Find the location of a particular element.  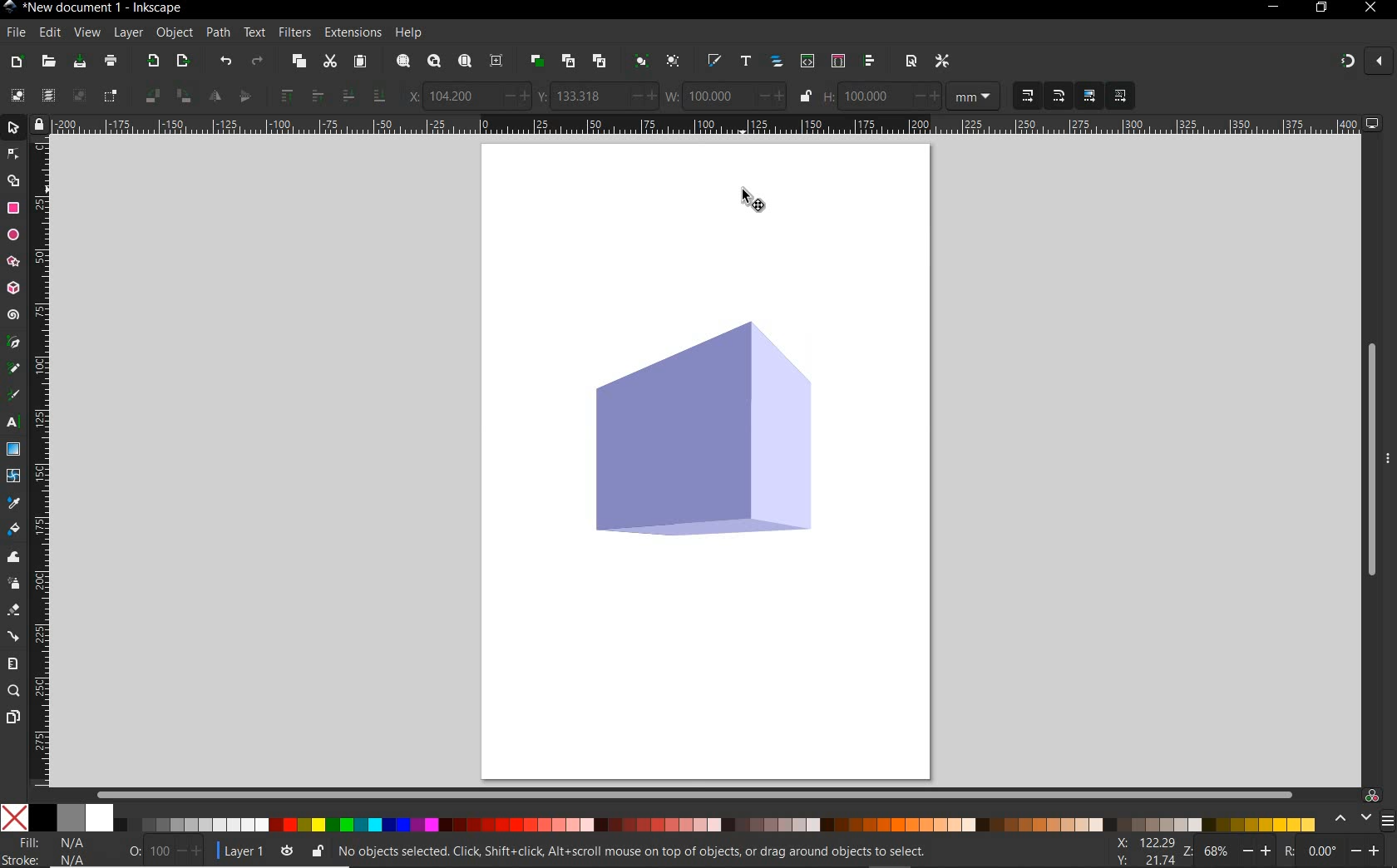

move patterns is located at coordinates (1118, 96).